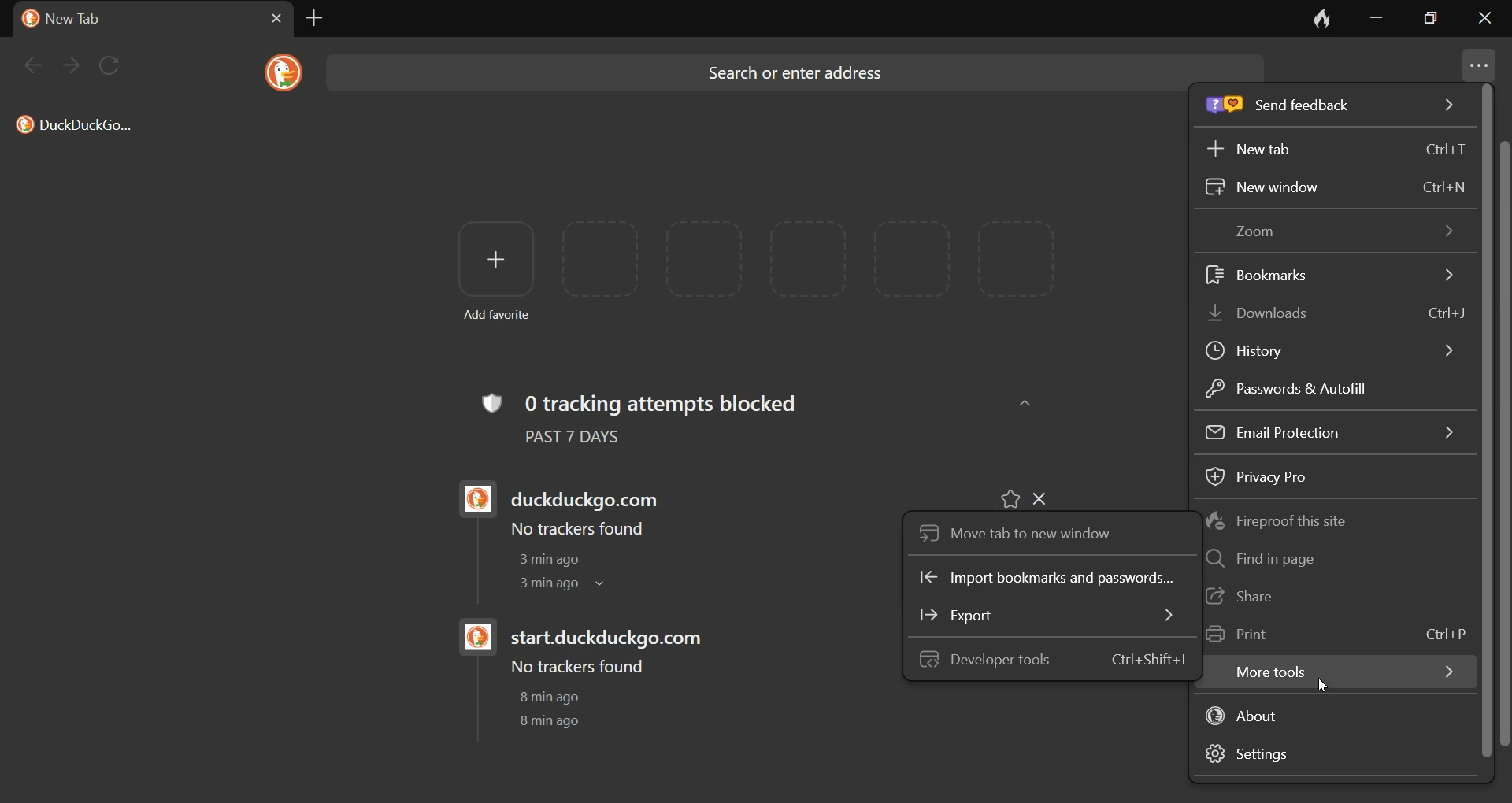  I want to click on Add favorite, so click(502, 316).